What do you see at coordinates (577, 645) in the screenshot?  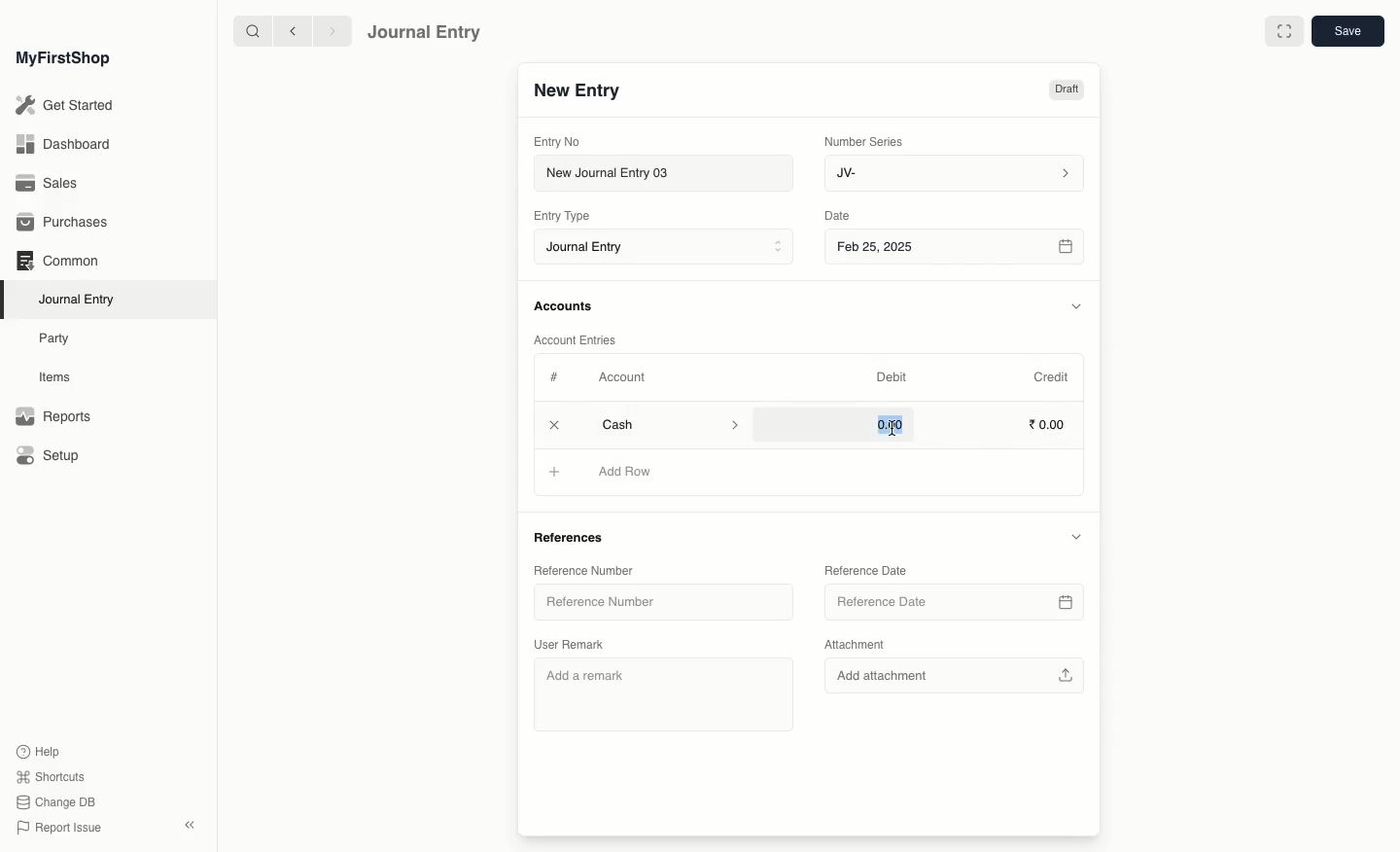 I see `User Remark` at bounding box center [577, 645].